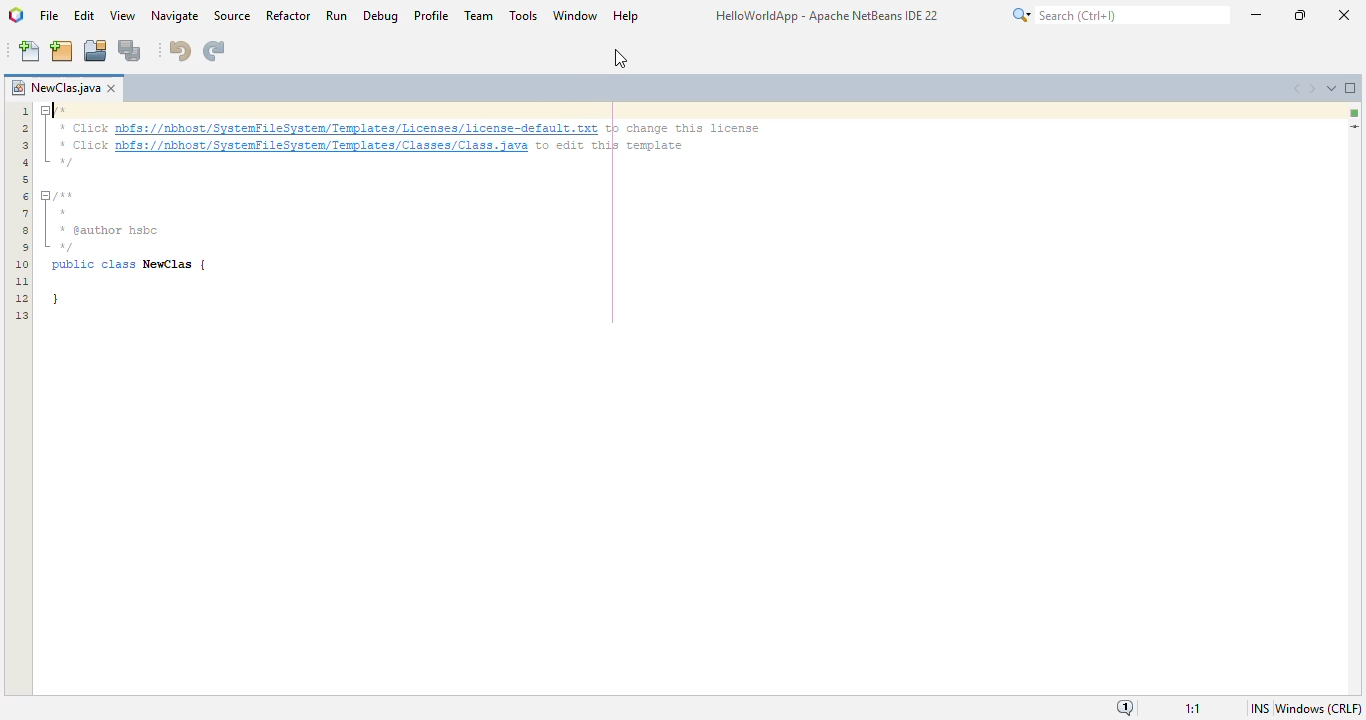 The width and height of the screenshot is (1366, 720). Describe the element at coordinates (1320, 707) in the screenshot. I see `Windows (CRLF)` at that location.